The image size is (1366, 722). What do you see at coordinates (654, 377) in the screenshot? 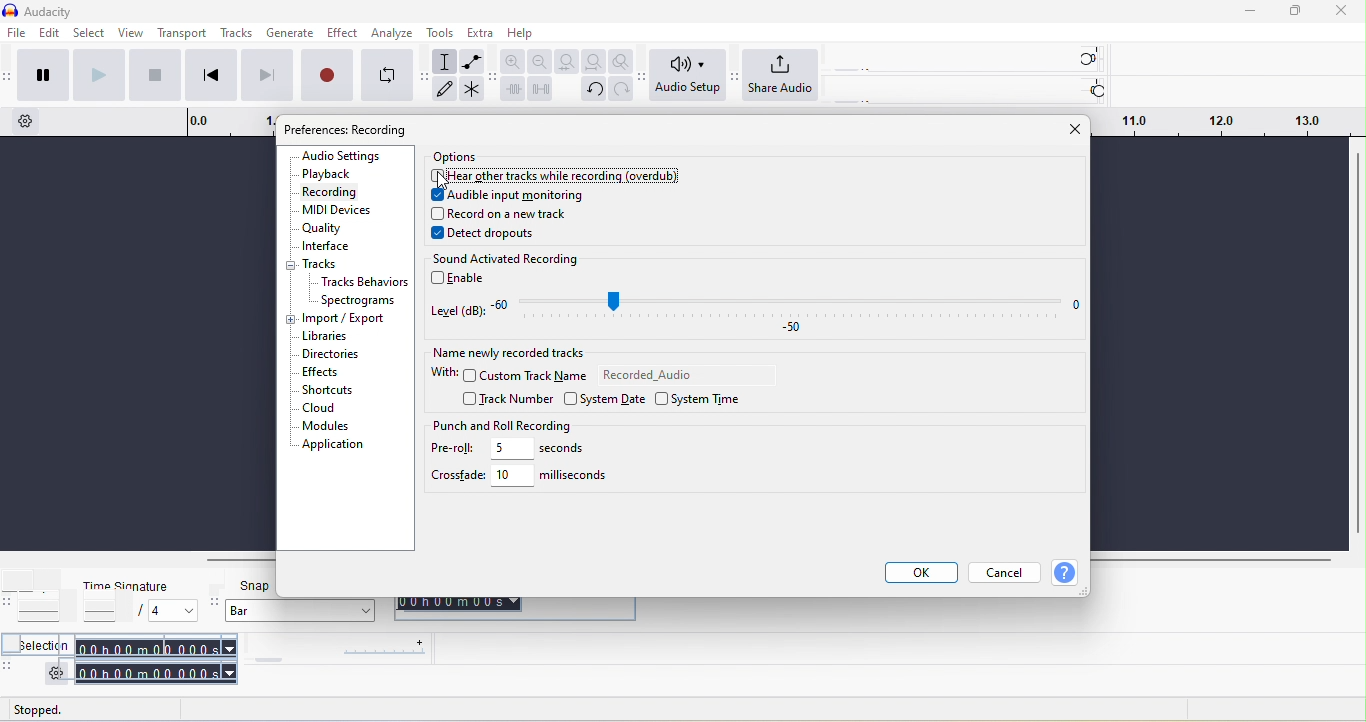
I see `recorded audio` at bounding box center [654, 377].